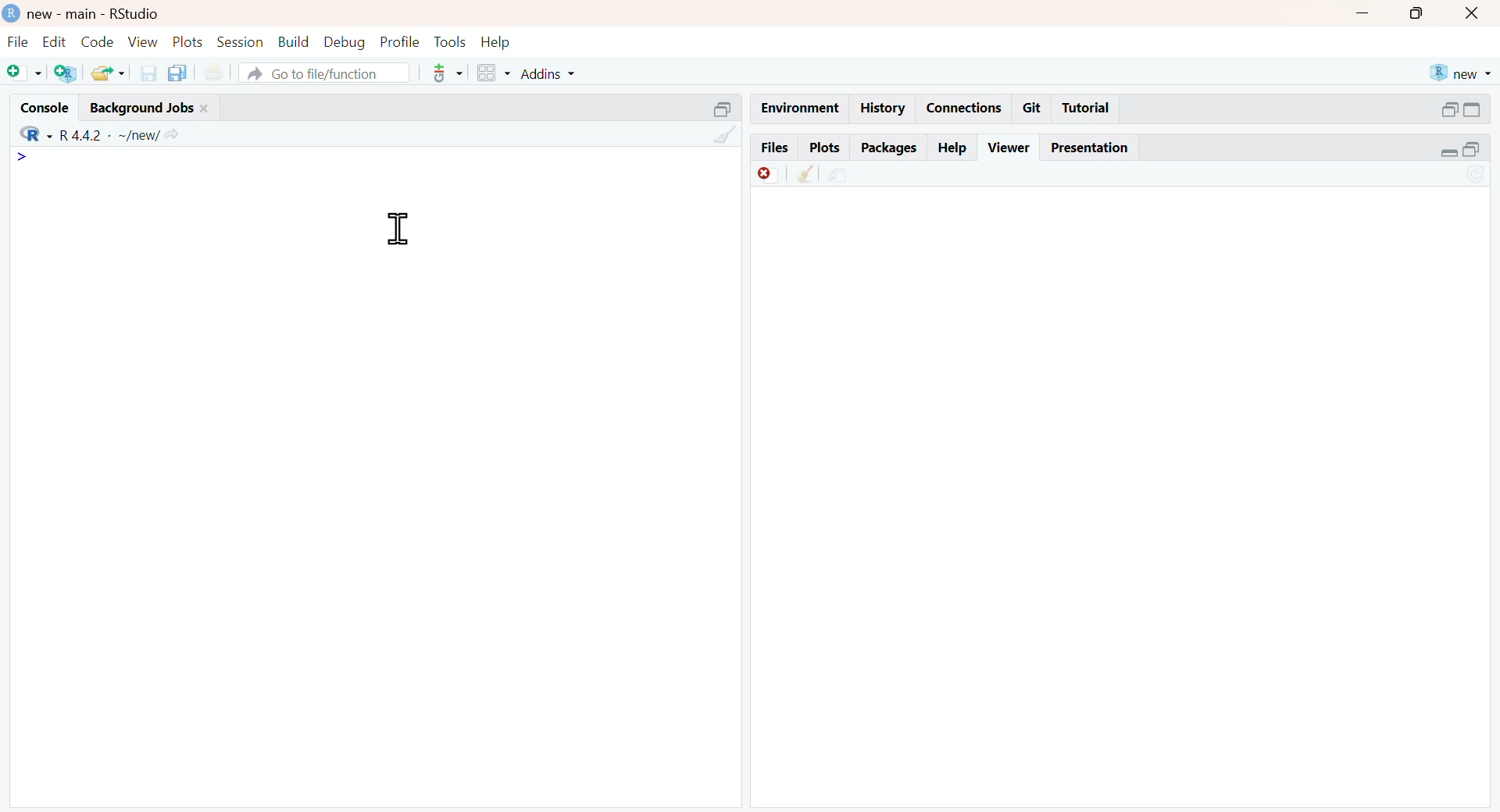 This screenshot has height=812, width=1500. What do you see at coordinates (52, 40) in the screenshot?
I see `Edit` at bounding box center [52, 40].